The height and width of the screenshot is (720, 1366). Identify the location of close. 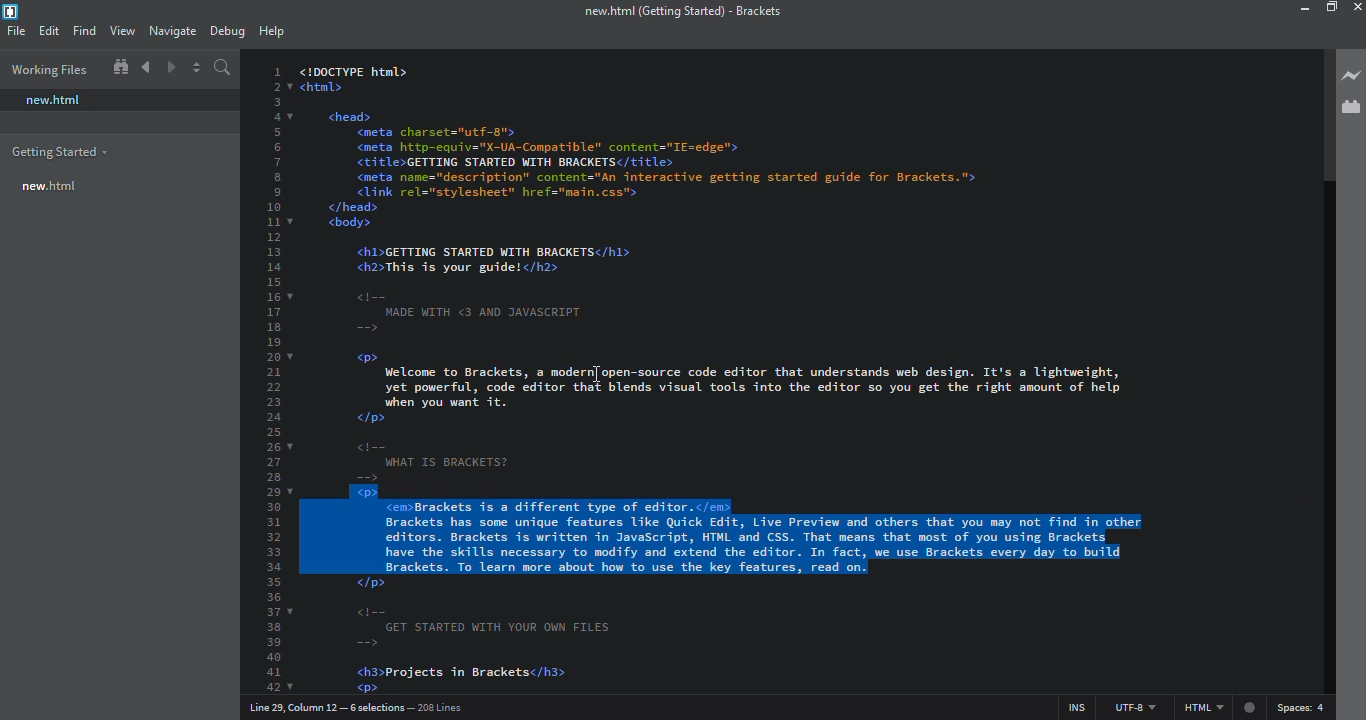
(1357, 5).